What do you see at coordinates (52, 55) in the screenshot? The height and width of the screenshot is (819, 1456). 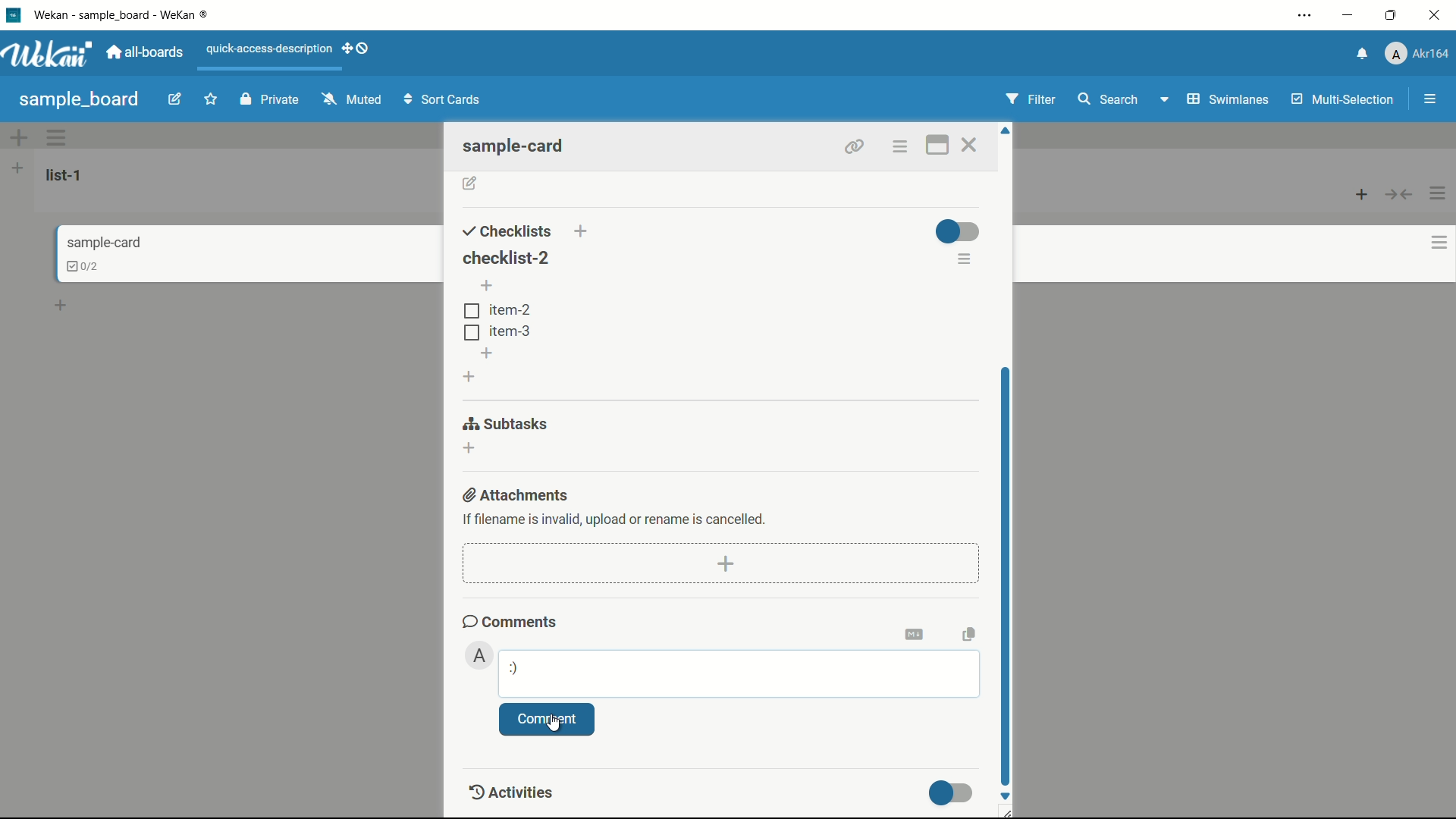 I see `app logo` at bounding box center [52, 55].